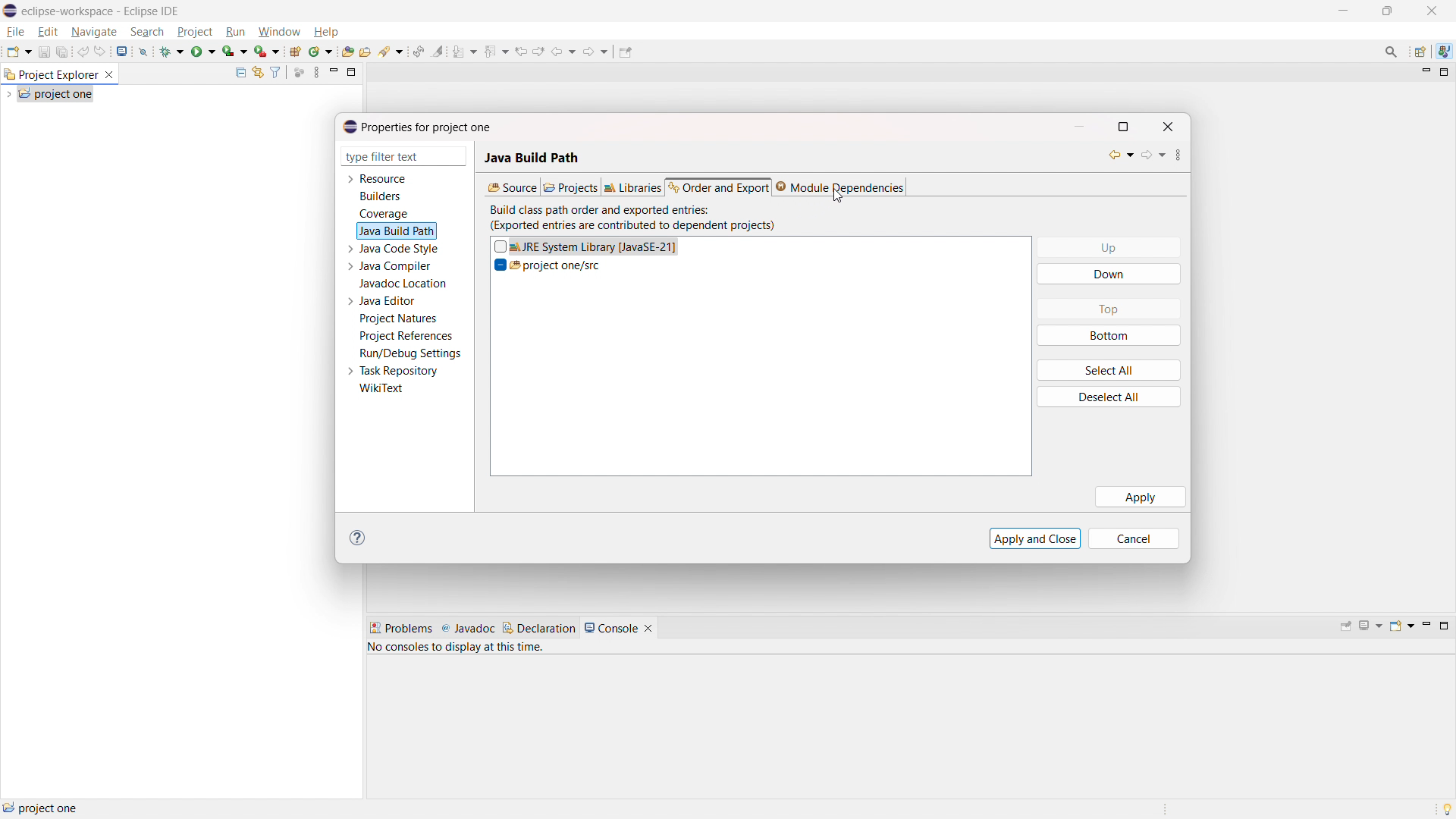 This screenshot has width=1456, height=819. What do you see at coordinates (585, 246) in the screenshot?
I see `JRE system library` at bounding box center [585, 246].